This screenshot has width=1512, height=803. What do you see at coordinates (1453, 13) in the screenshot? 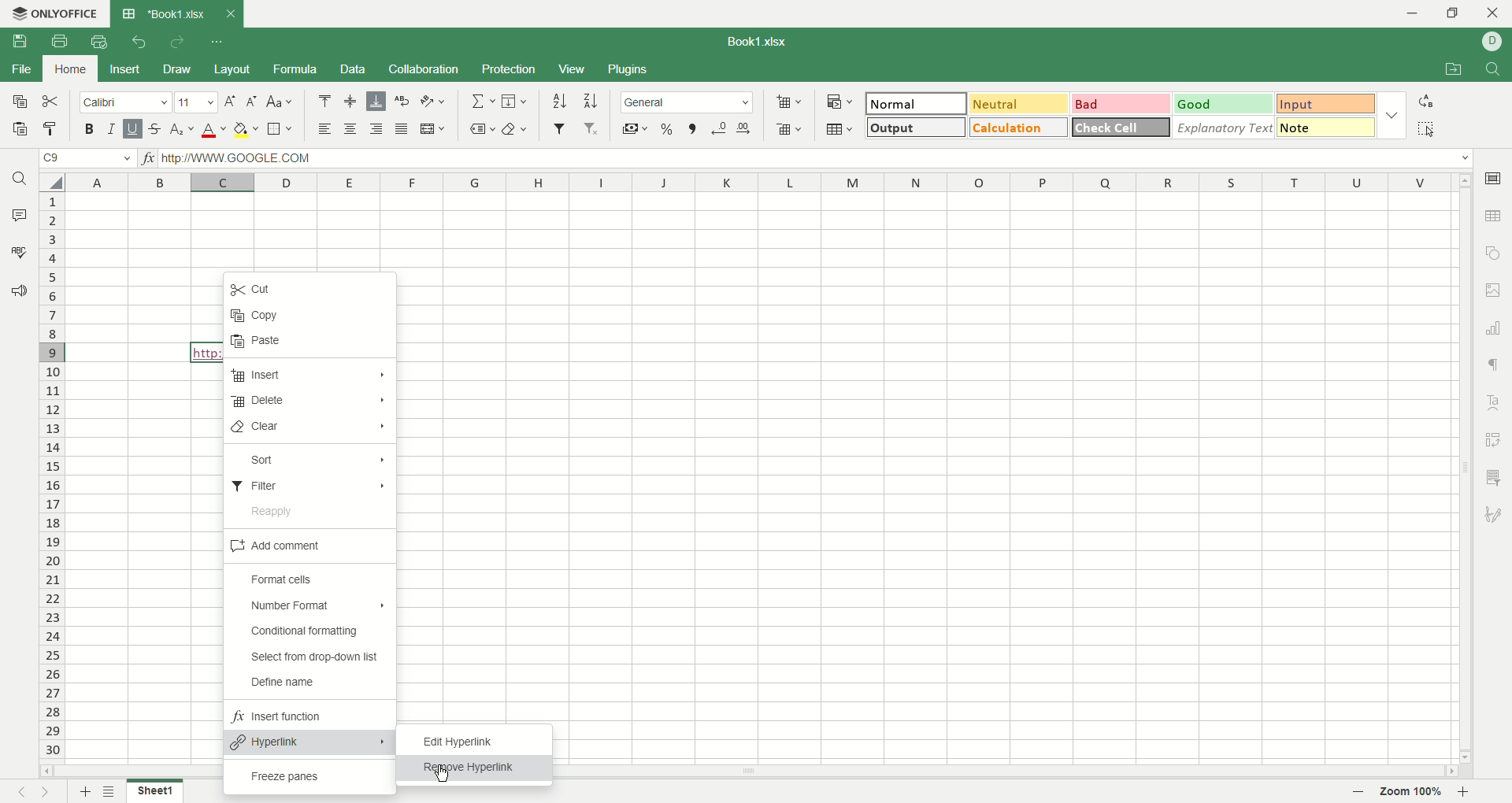
I see `maximize` at bounding box center [1453, 13].